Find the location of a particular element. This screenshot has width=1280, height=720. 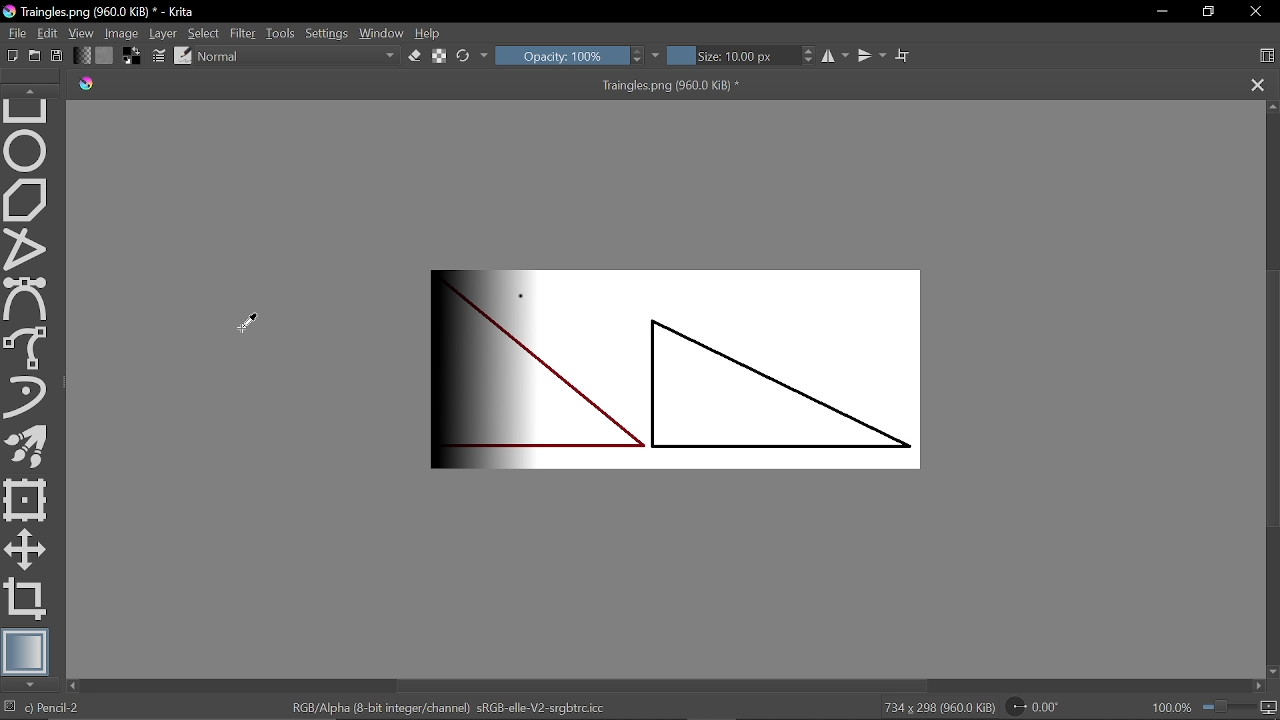

Horizontal mirror is located at coordinates (833, 58).